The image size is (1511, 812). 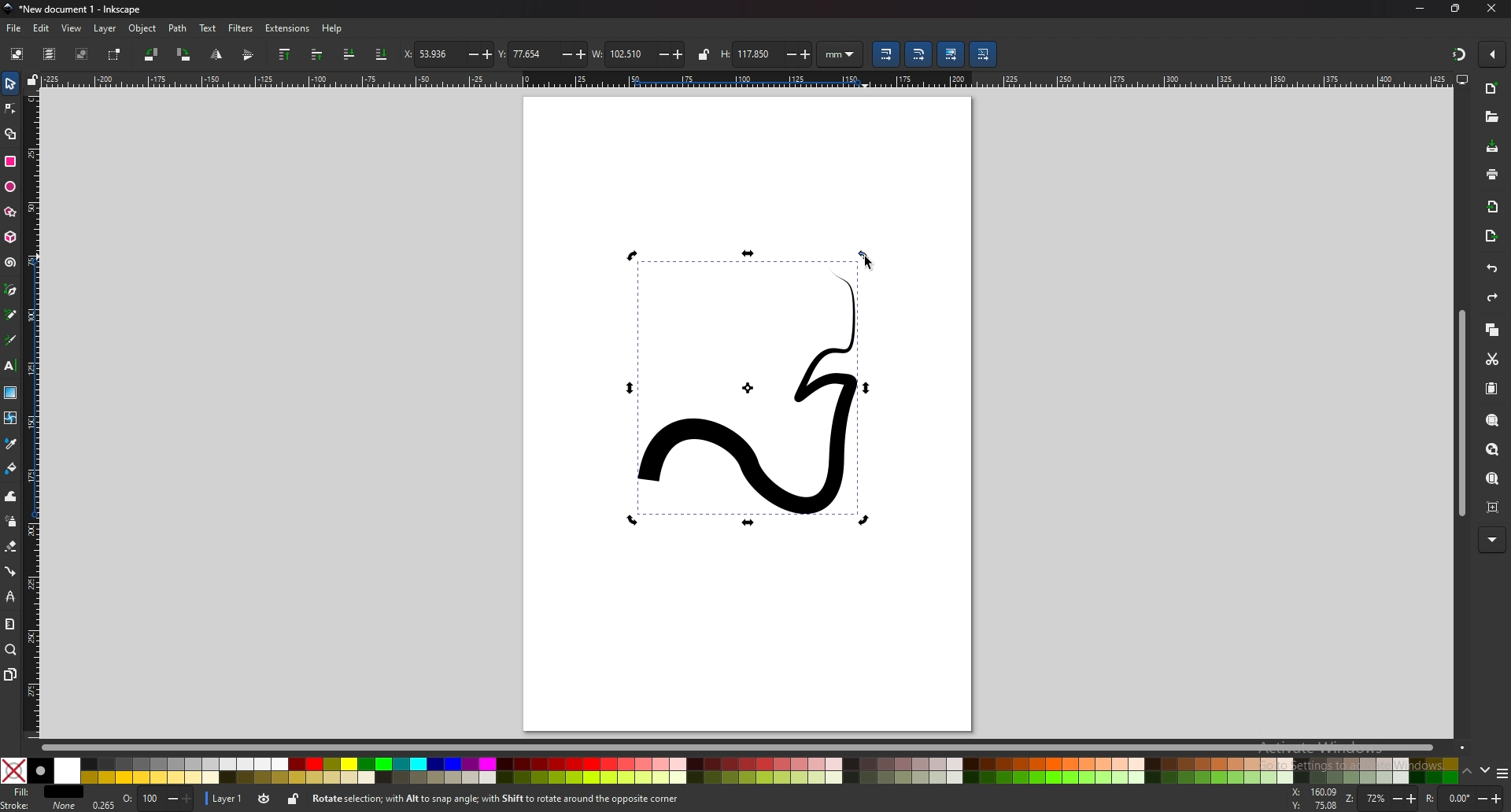 What do you see at coordinates (1467, 799) in the screenshot?
I see `ROTATION` at bounding box center [1467, 799].